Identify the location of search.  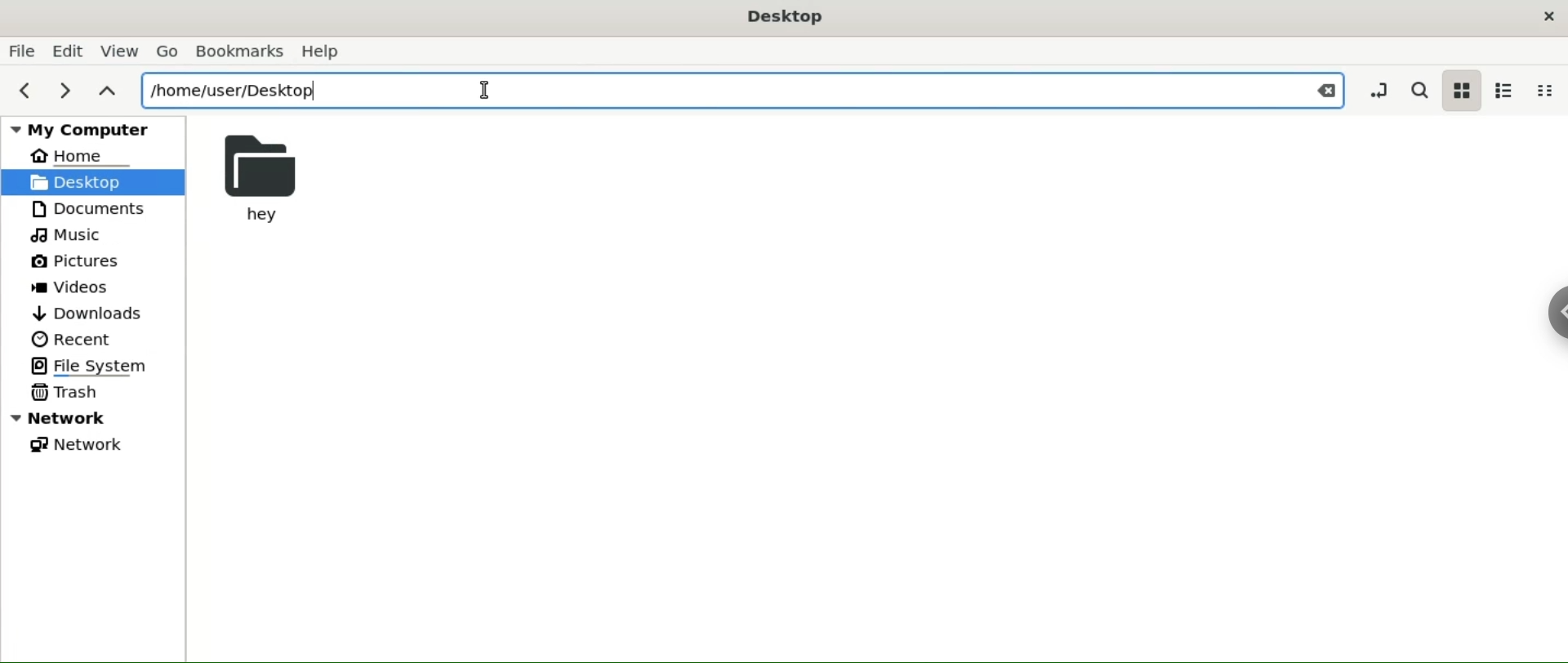
(1419, 90).